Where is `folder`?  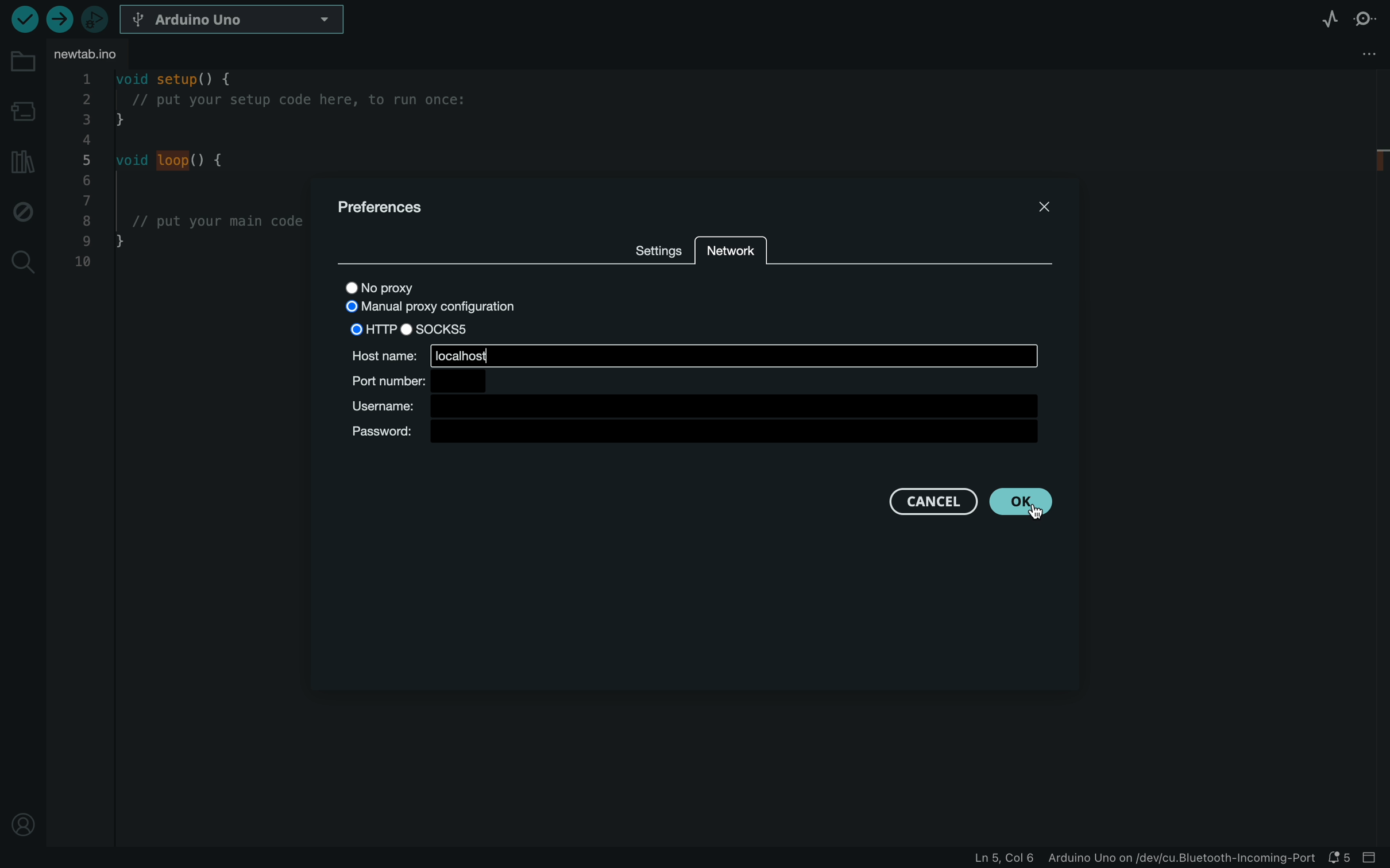 folder is located at coordinates (22, 61).